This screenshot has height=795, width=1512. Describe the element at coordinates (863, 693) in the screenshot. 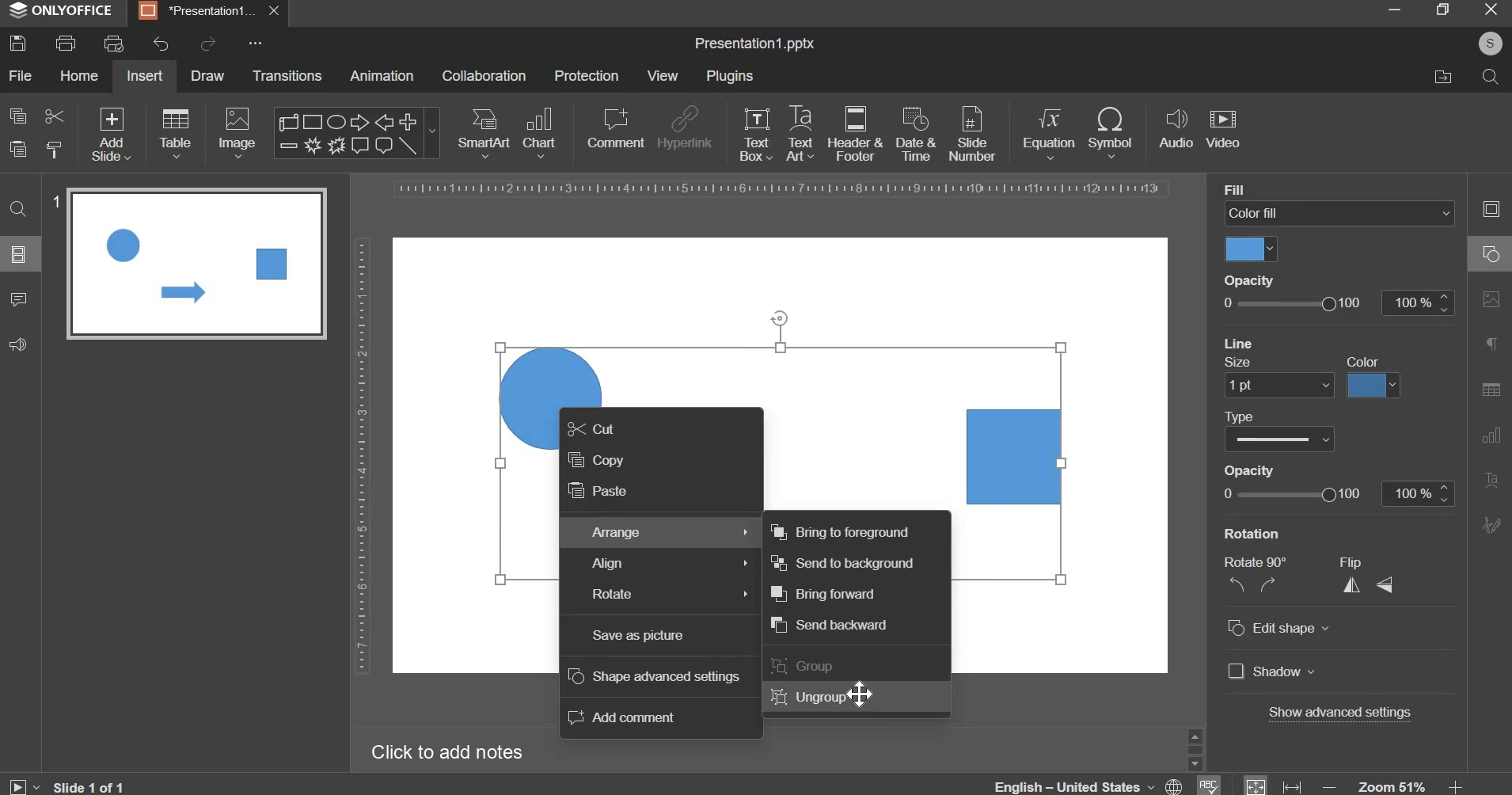

I see `cursor` at that location.